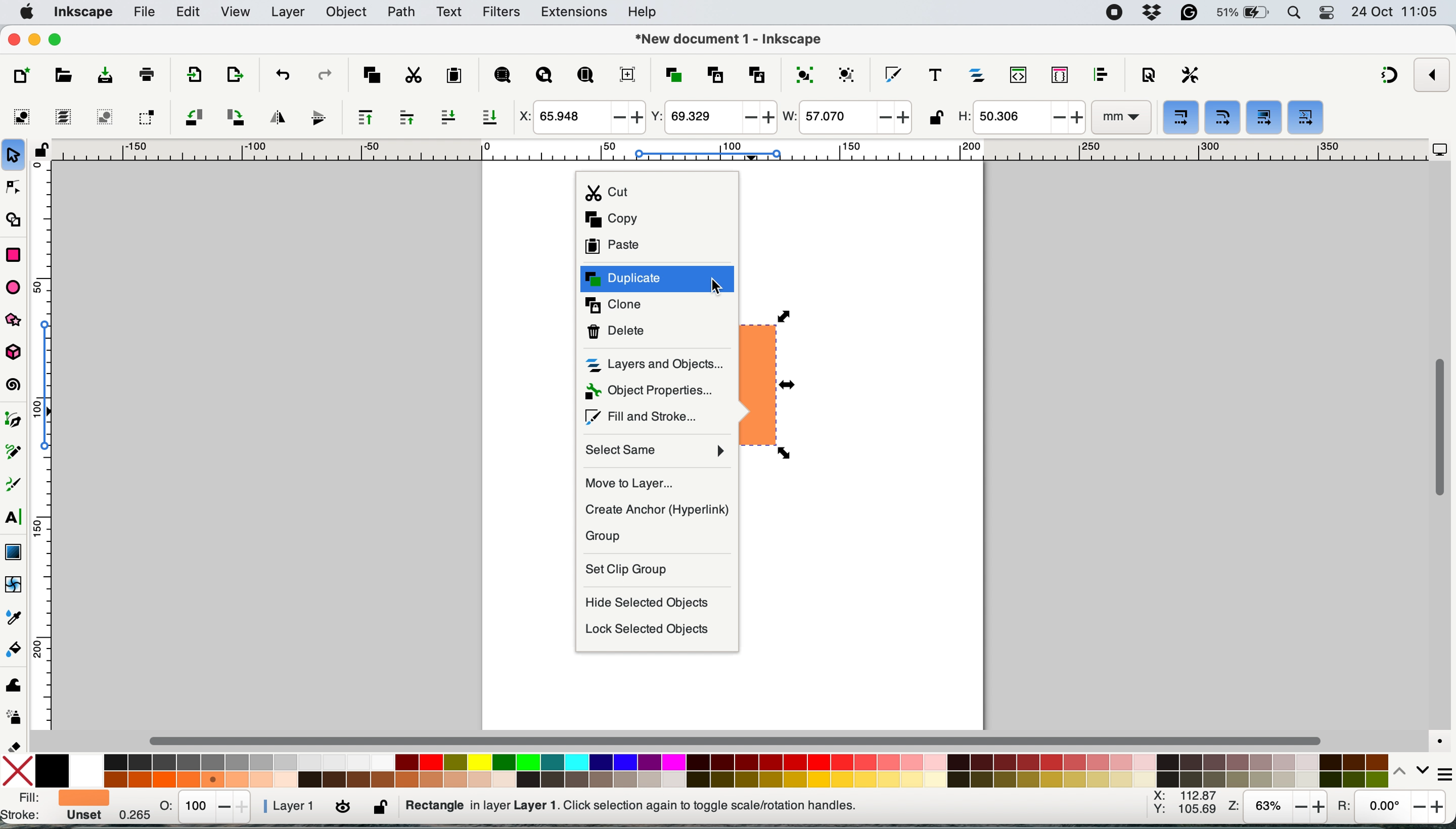 The width and height of the screenshot is (1456, 829). What do you see at coordinates (372, 73) in the screenshot?
I see `copy` at bounding box center [372, 73].